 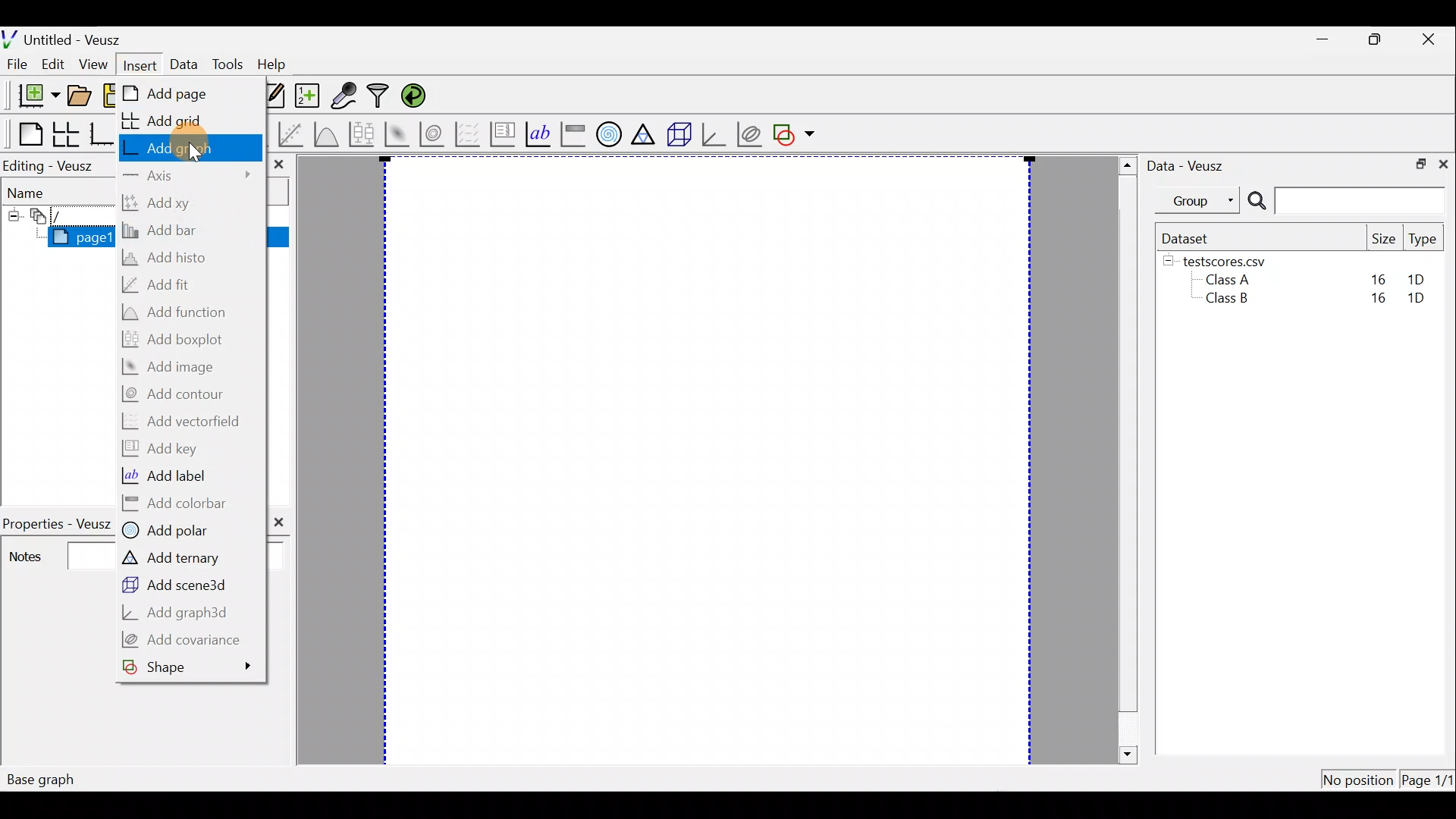 What do you see at coordinates (434, 134) in the screenshot?
I see `Plot a 2d dataset as contours` at bounding box center [434, 134].